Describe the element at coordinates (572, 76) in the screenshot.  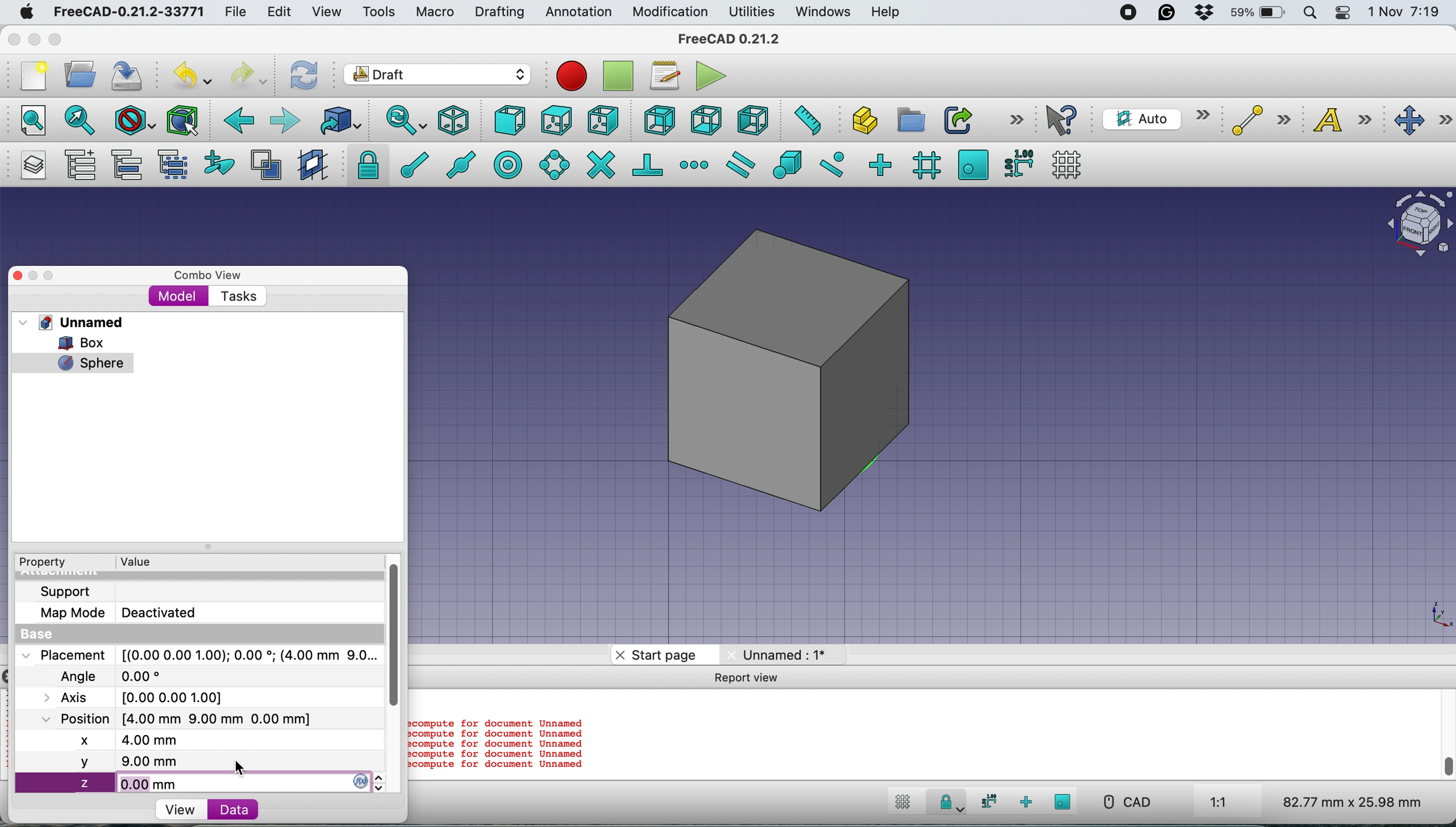
I see `record macros` at that location.